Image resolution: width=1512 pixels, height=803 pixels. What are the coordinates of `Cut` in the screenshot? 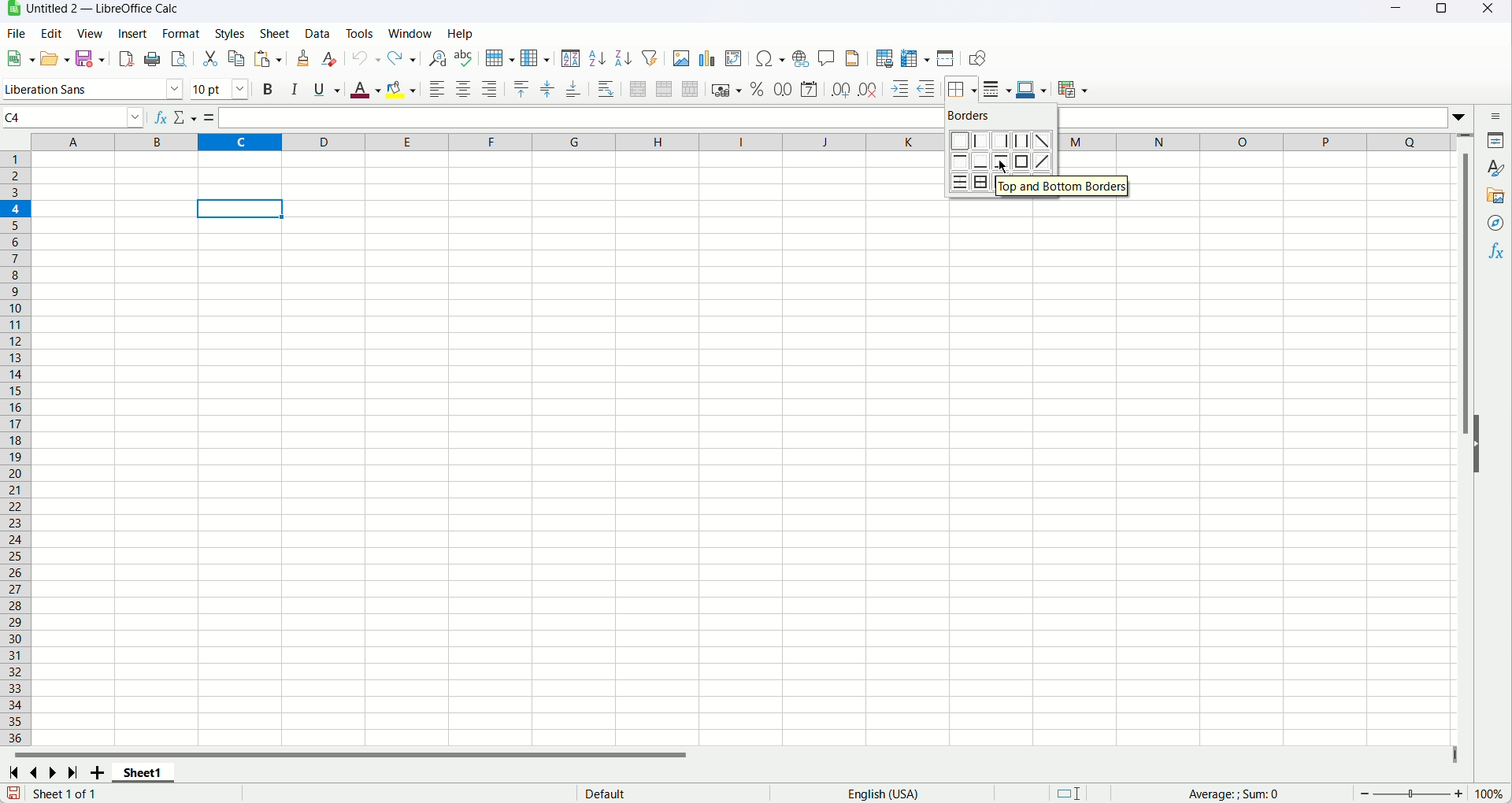 It's located at (211, 60).